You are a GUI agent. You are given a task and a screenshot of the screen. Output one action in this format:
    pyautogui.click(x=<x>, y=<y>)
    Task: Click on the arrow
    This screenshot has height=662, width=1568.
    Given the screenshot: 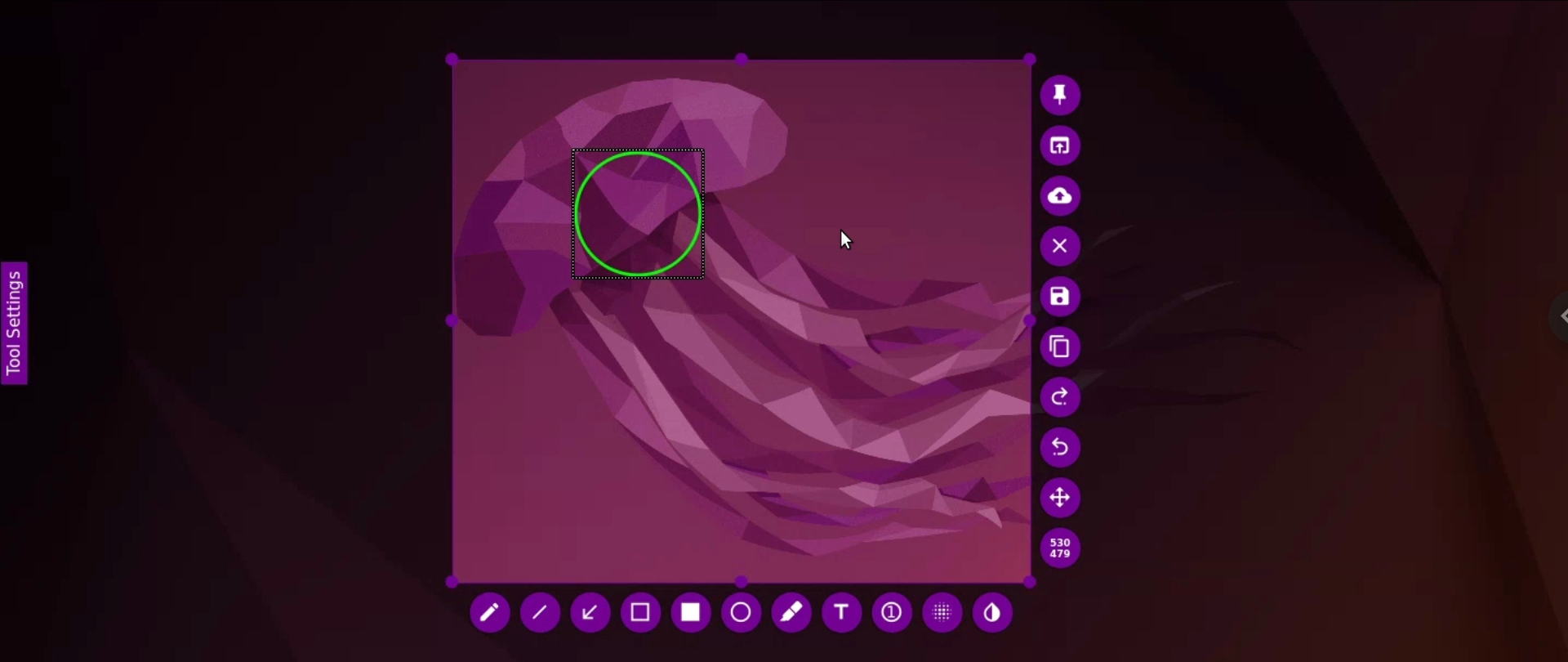 What is the action you would take?
    pyautogui.click(x=593, y=612)
    